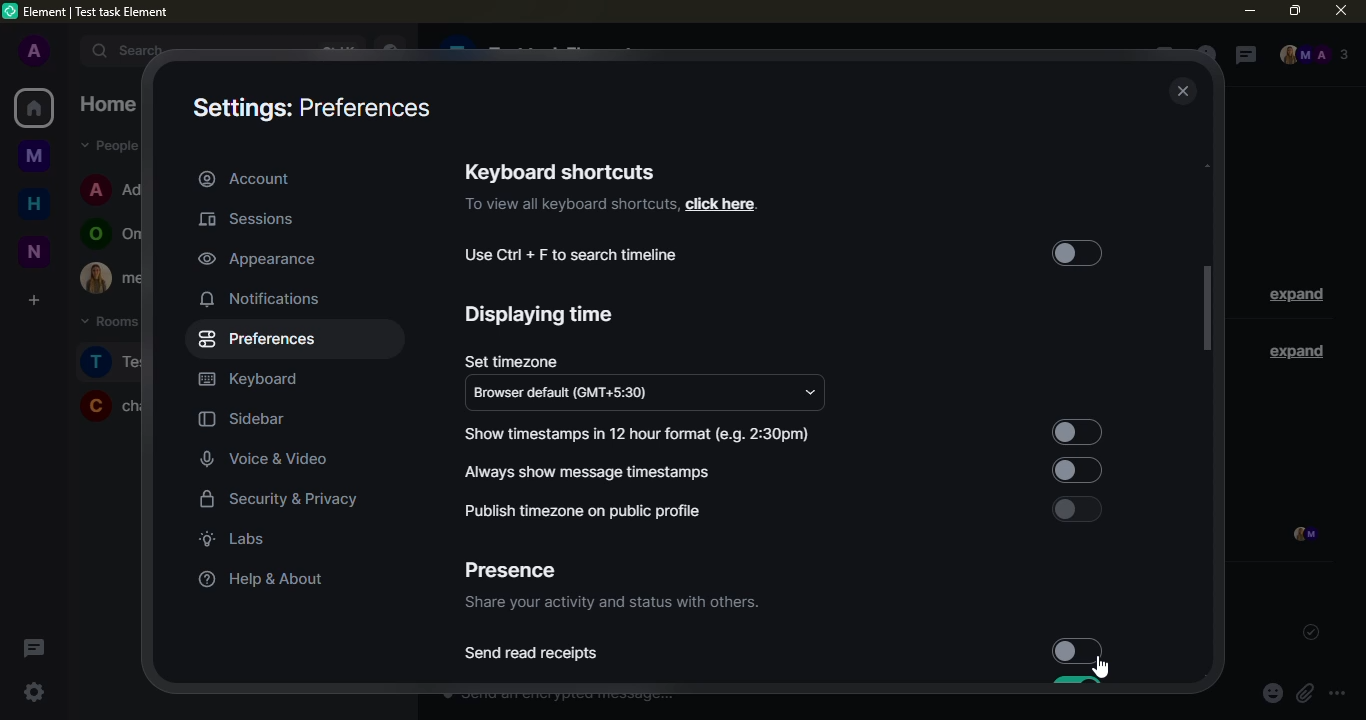 This screenshot has height=720, width=1366. Describe the element at coordinates (104, 13) in the screenshot. I see `element| test task element` at that location.